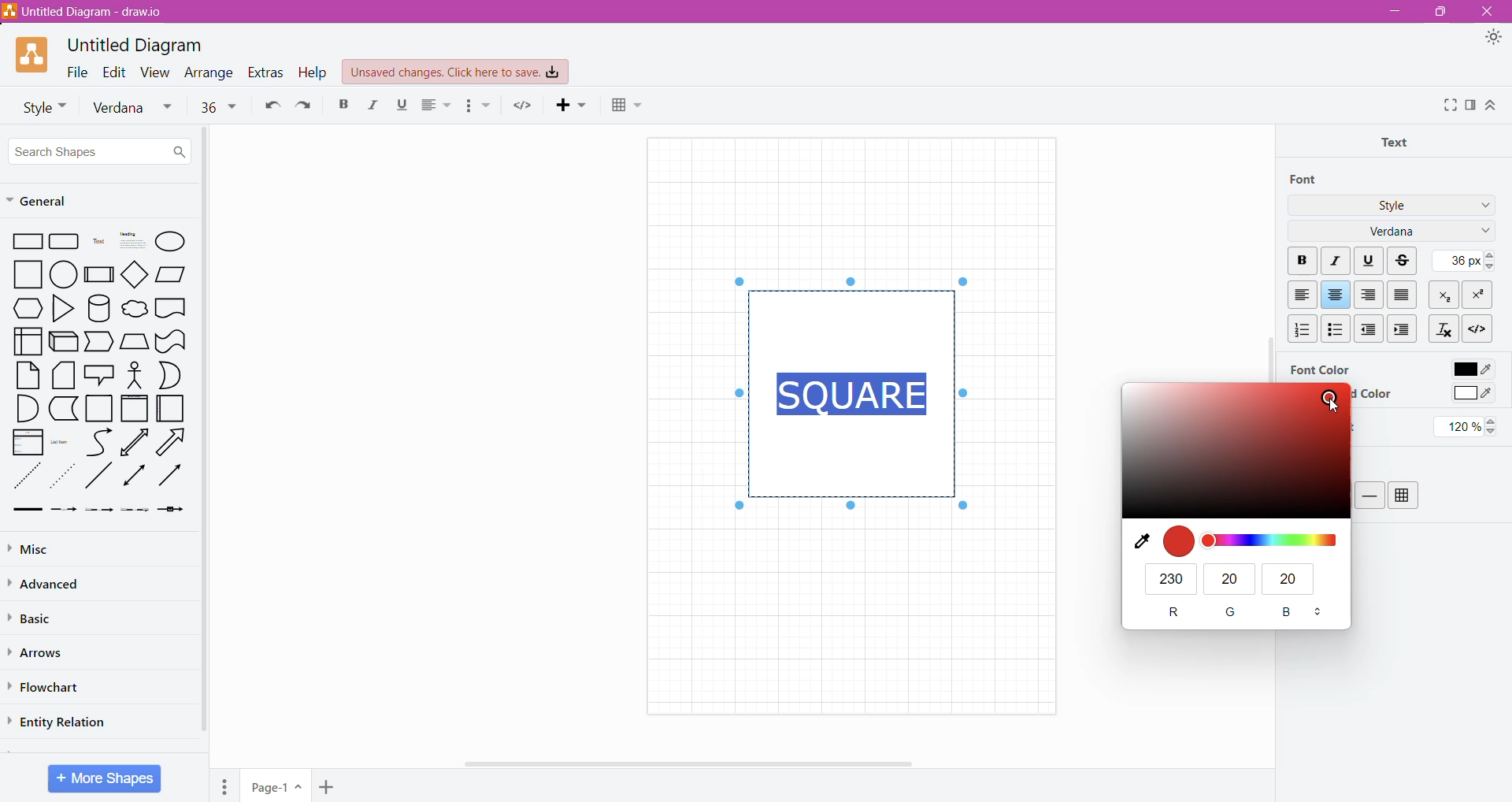 The image size is (1512, 802). I want to click on Undo, so click(269, 104).